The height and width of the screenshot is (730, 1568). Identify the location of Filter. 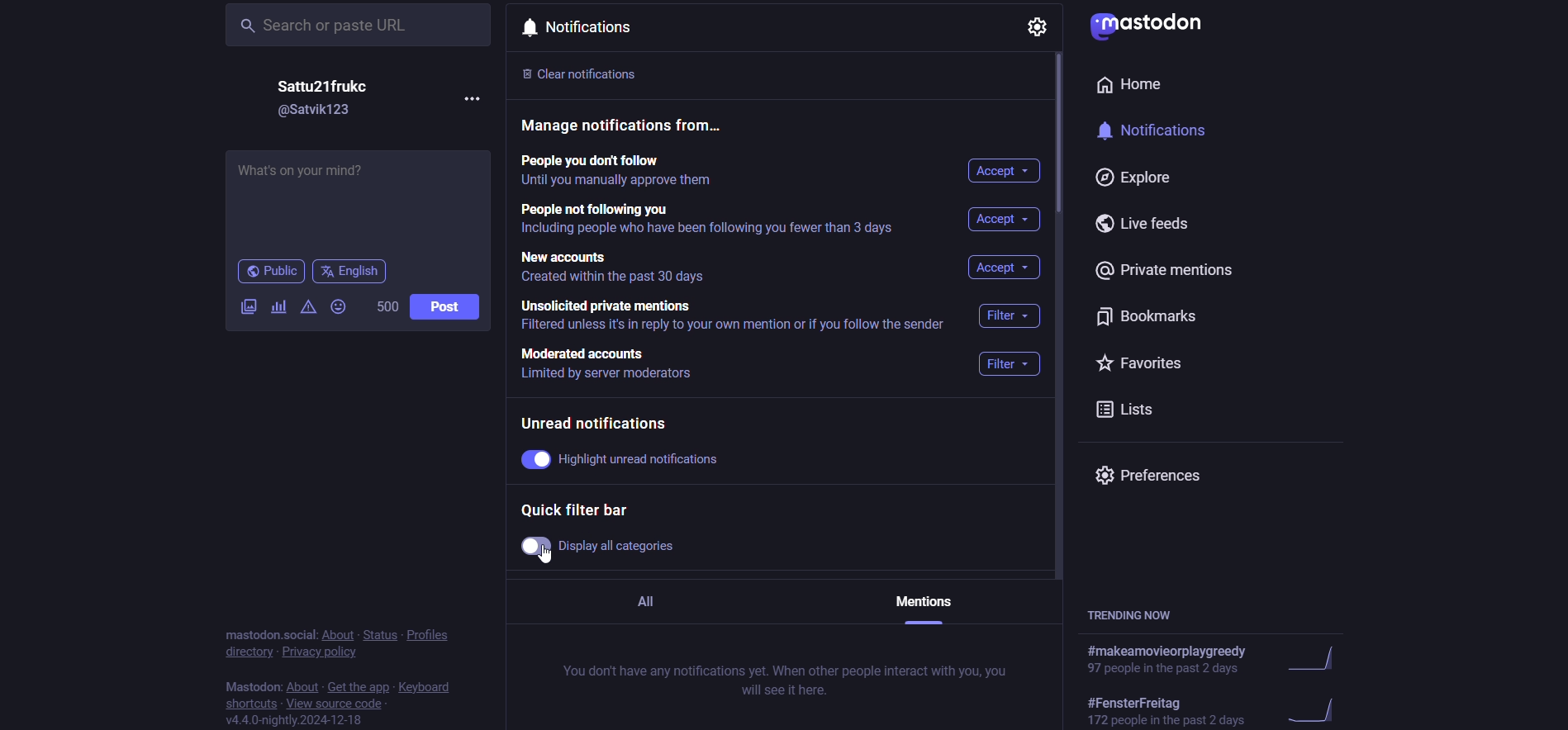
(1007, 364).